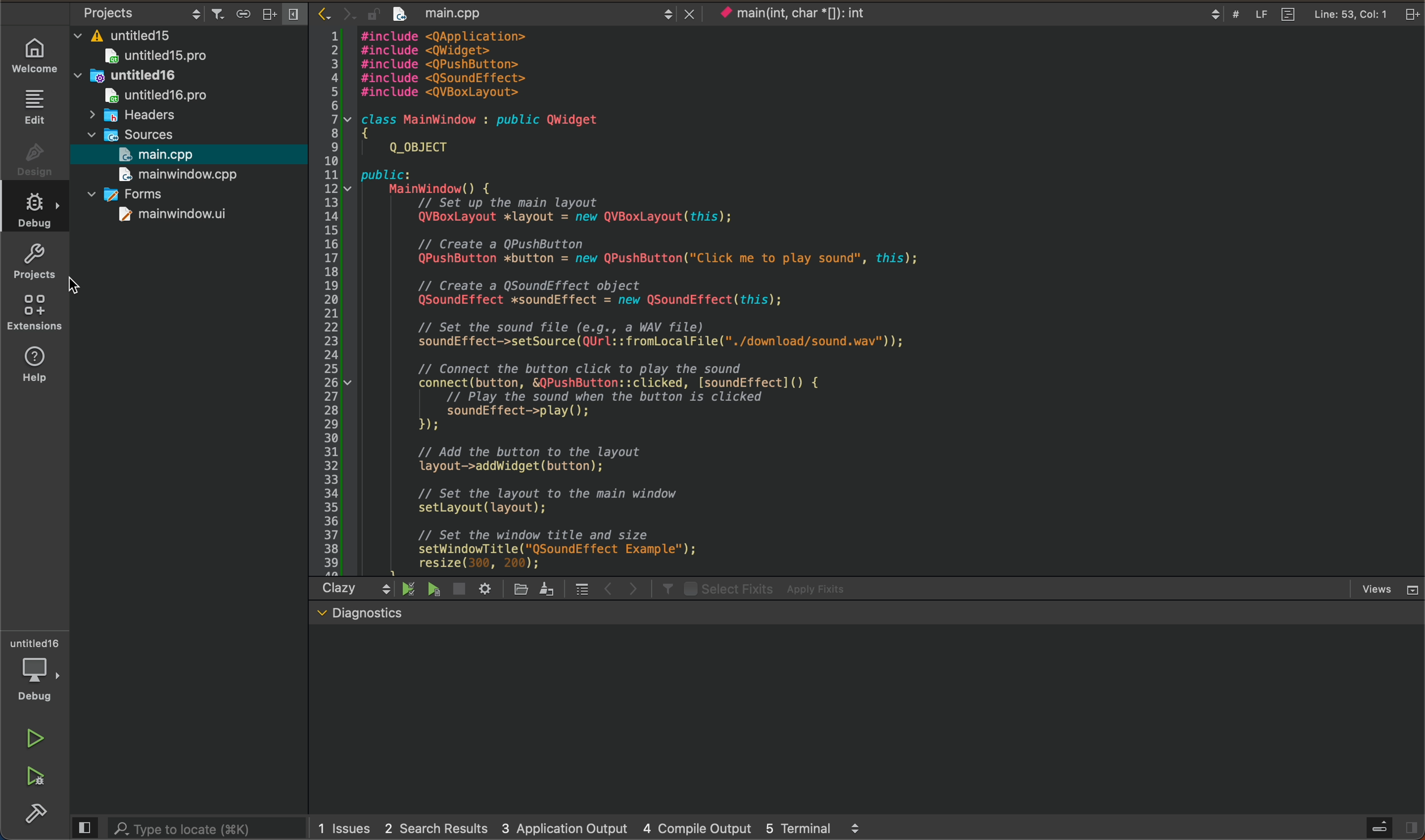  What do you see at coordinates (129, 196) in the screenshot?
I see `` at bounding box center [129, 196].